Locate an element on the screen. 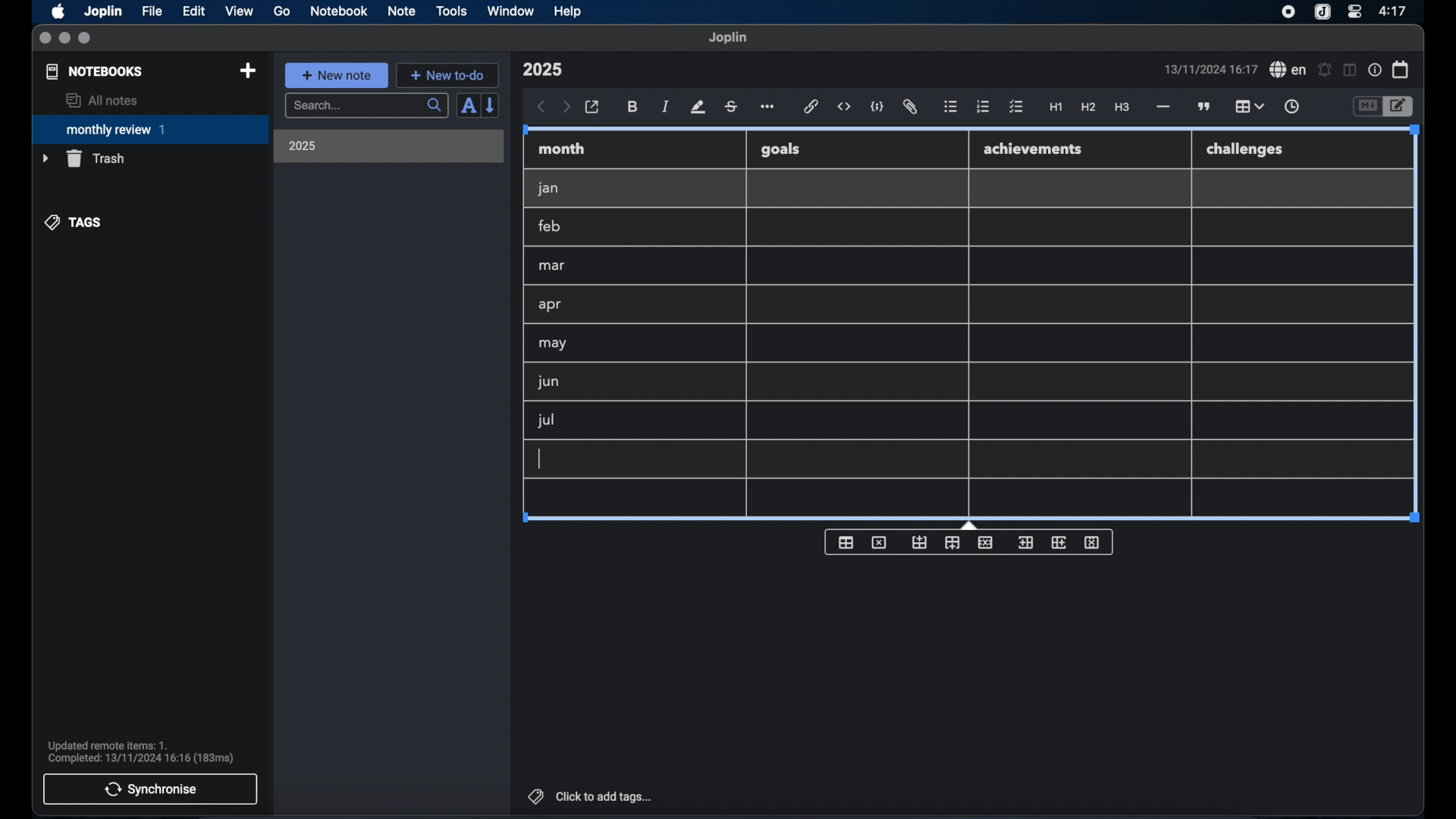  notebooks is located at coordinates (95, 71).